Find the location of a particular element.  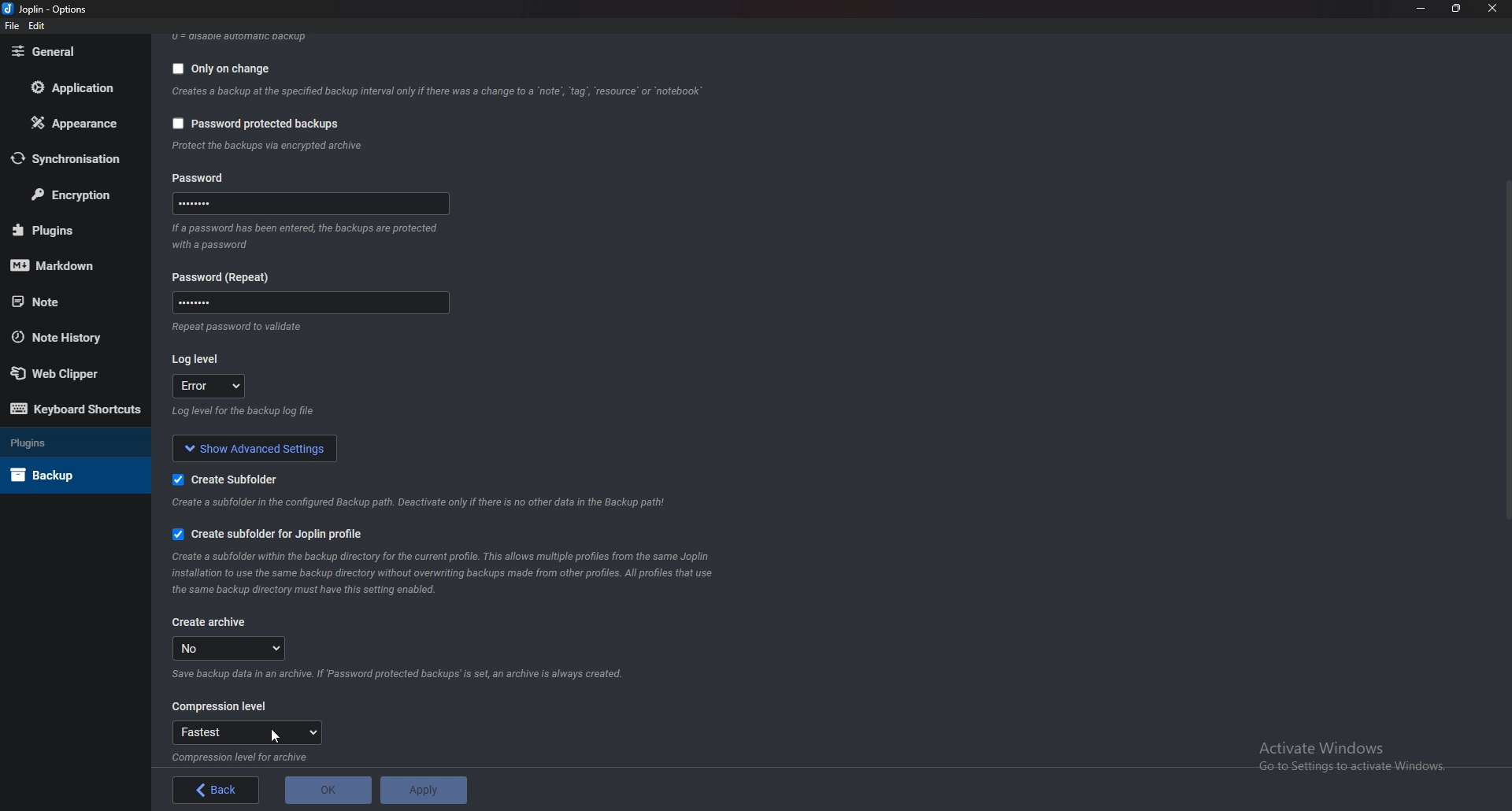

Joplin is located at coordinates (46, 9).